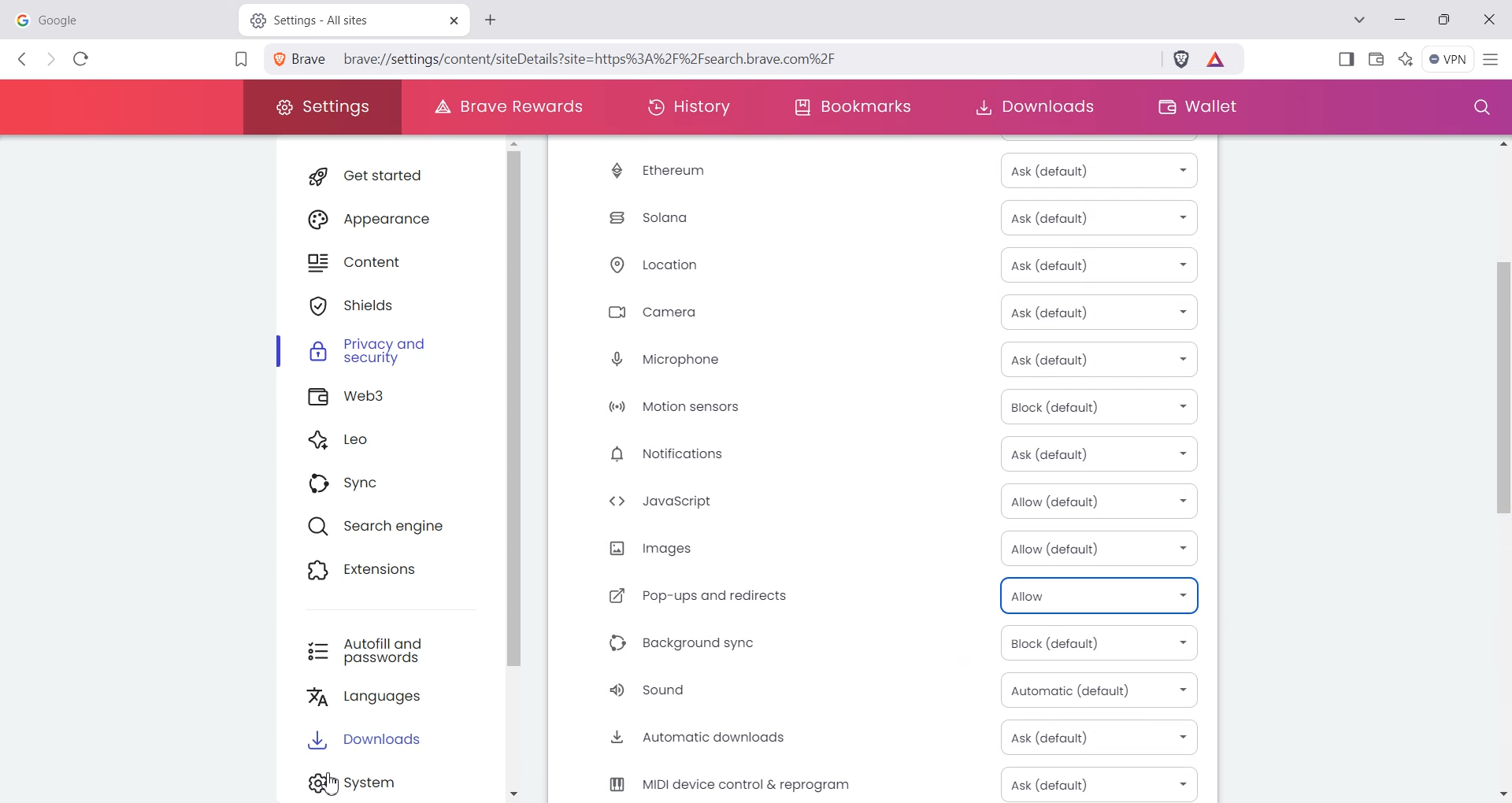 The image size is (1512, 803). What do you see at coordinates (391, 398) in the screenshot?
I see `Web3` at bounding box center [391, 398].